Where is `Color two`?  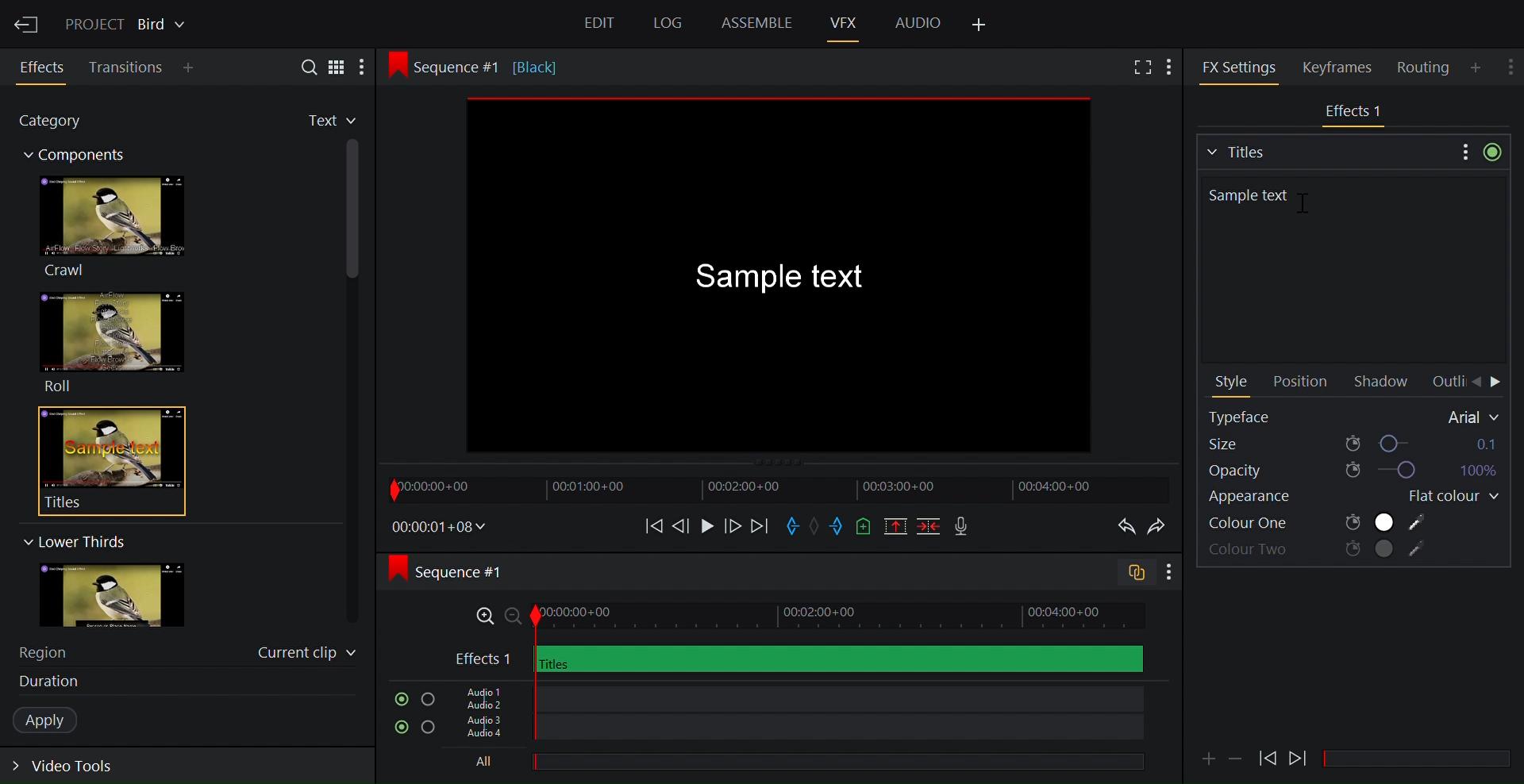
Color two is located at coordinates (1319, 551).